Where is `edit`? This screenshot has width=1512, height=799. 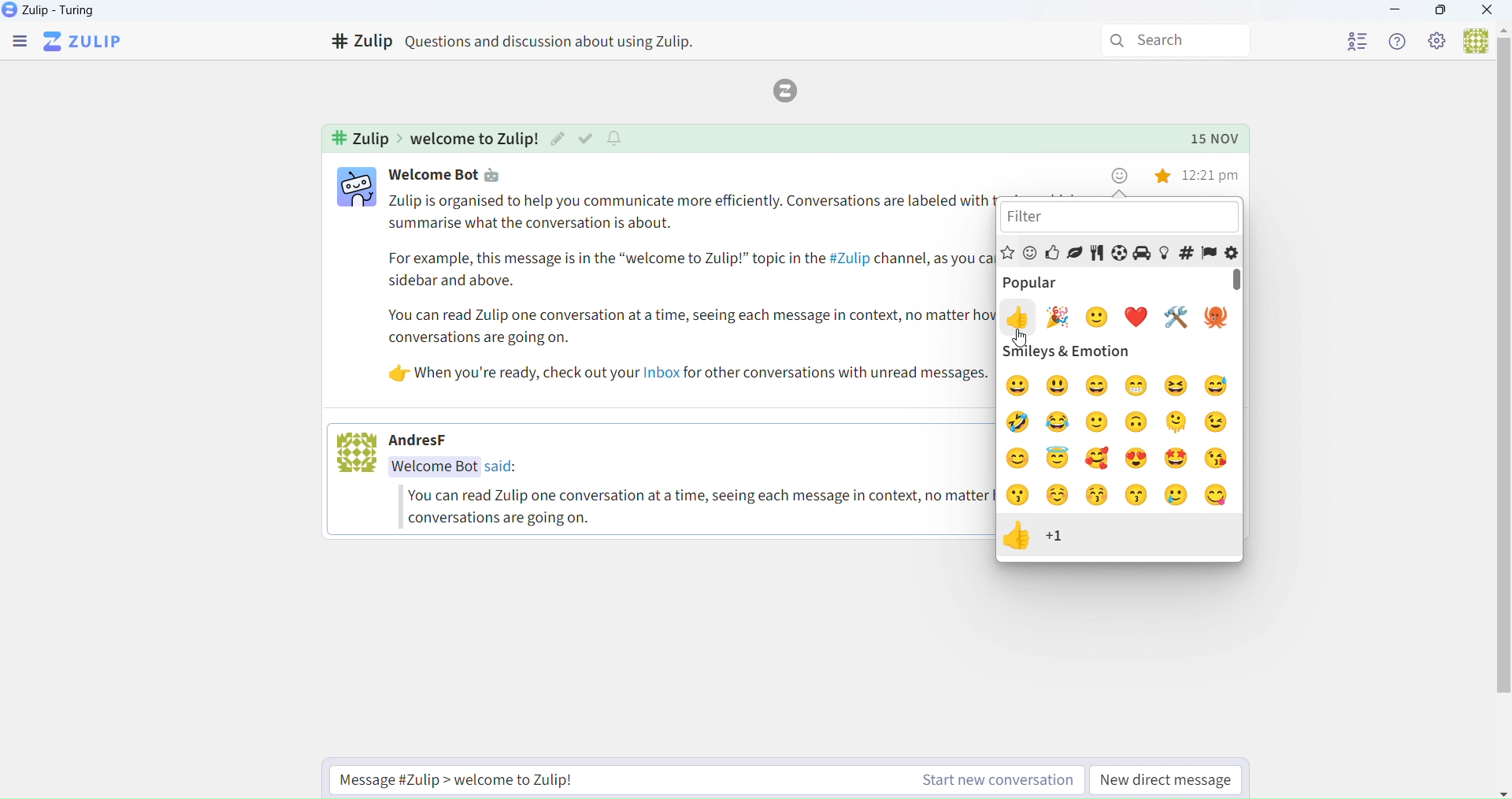 edit is located at coordinates (558, 139).